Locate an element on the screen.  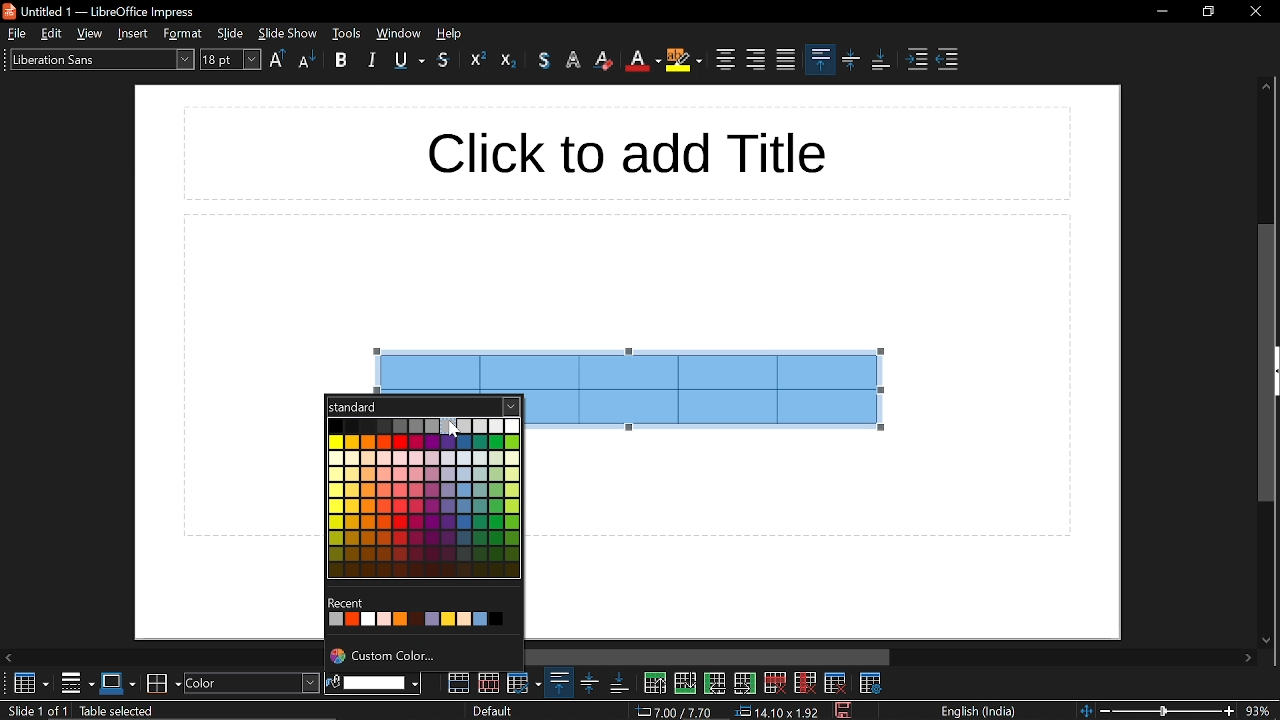
Move left is located at coordinates (10, 657).